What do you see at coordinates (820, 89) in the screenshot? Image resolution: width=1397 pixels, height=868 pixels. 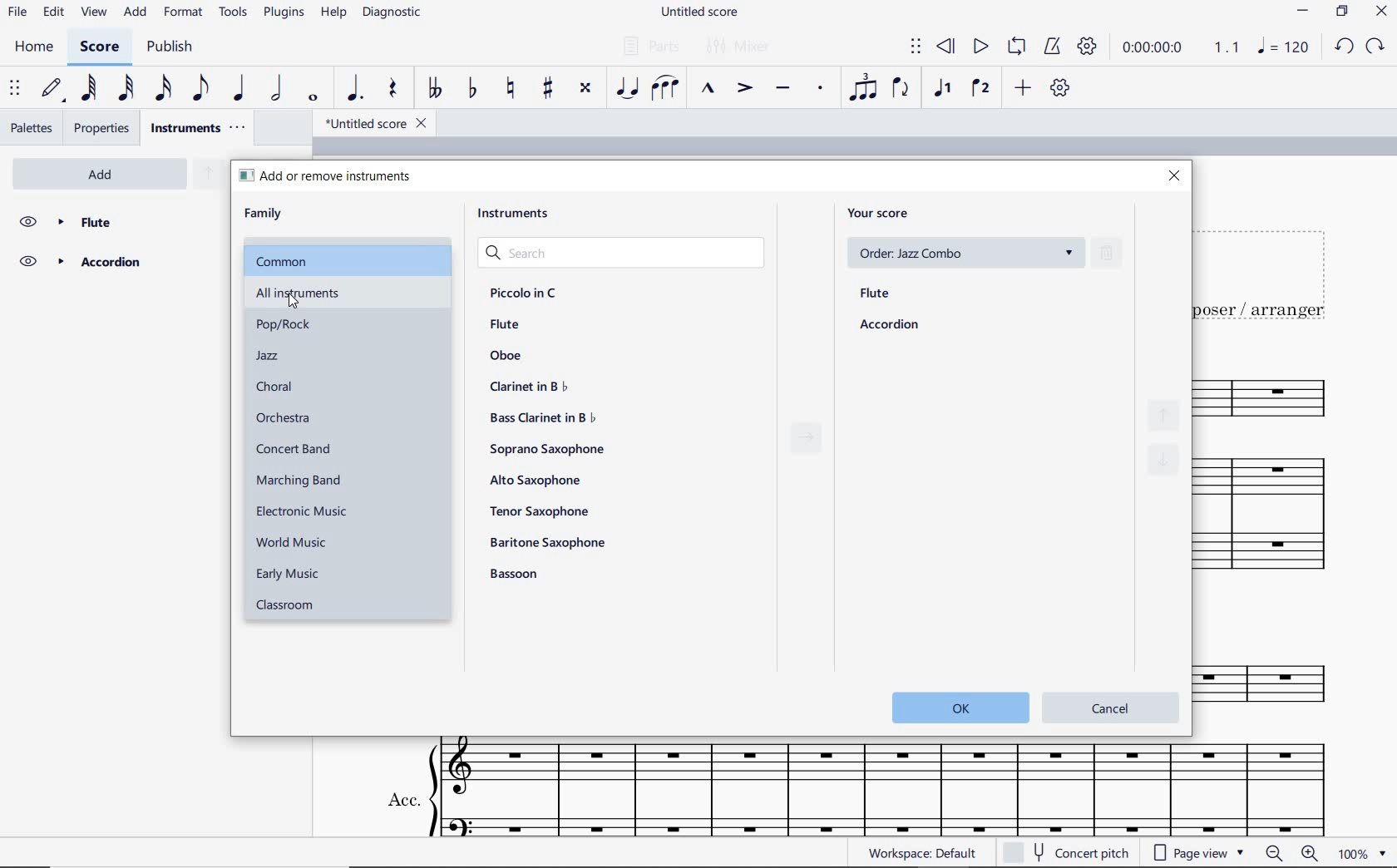 I see `staccato` at bounding box center [820, 89].